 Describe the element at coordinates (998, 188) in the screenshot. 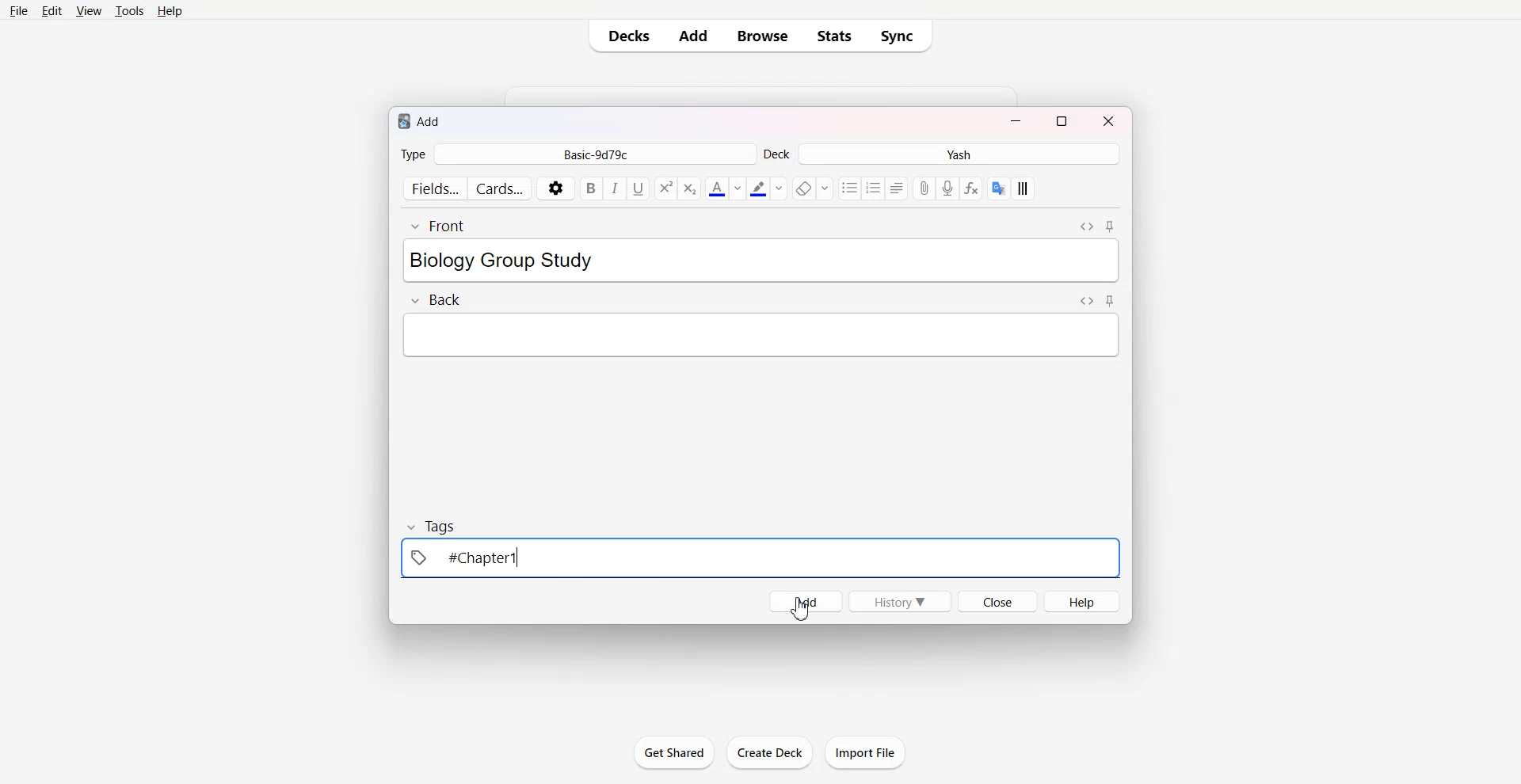

I see `Google Translate` at that location.